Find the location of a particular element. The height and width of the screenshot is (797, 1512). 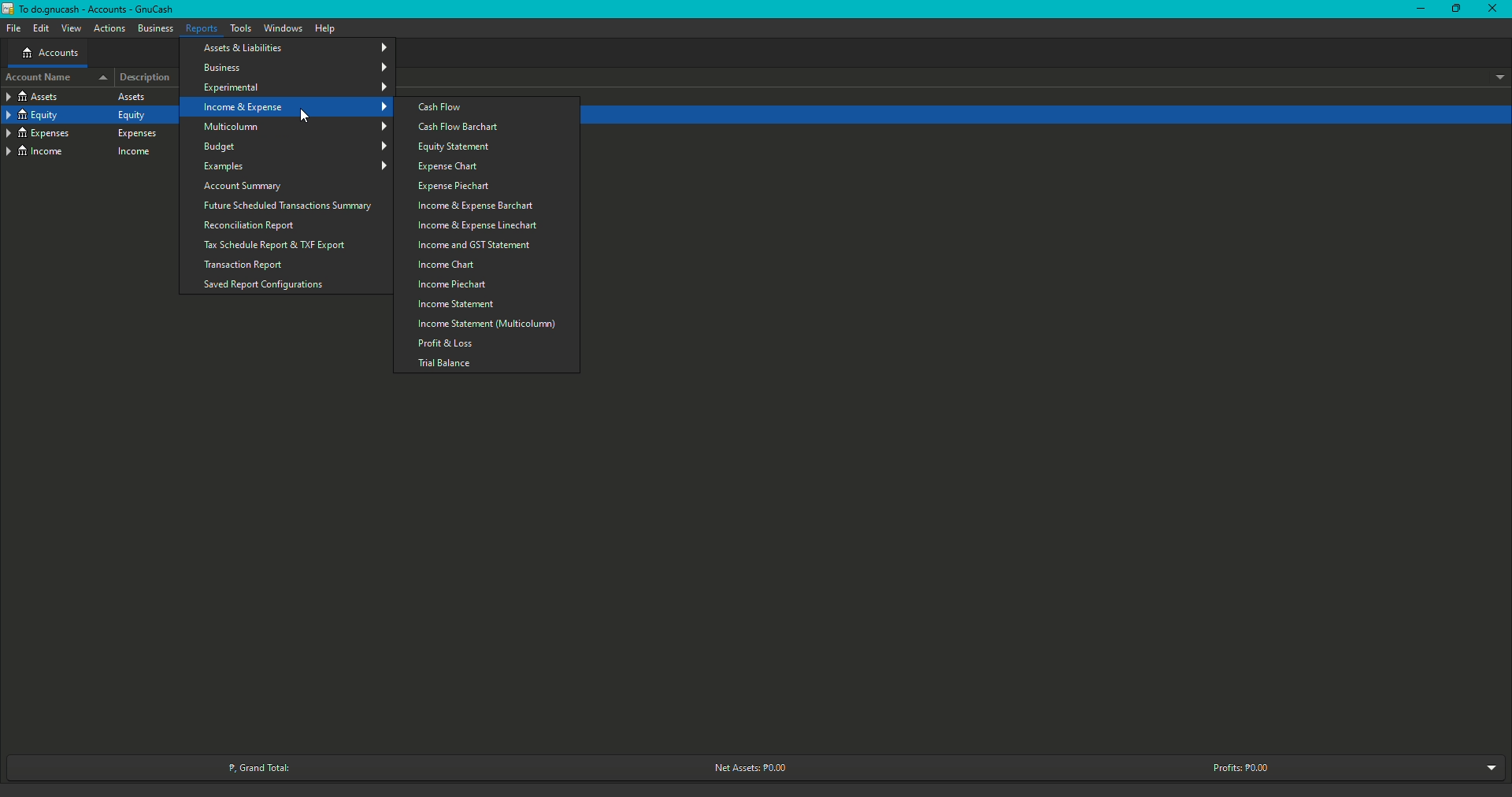

Tax Schedule Report is located at coordinates (276, 246).